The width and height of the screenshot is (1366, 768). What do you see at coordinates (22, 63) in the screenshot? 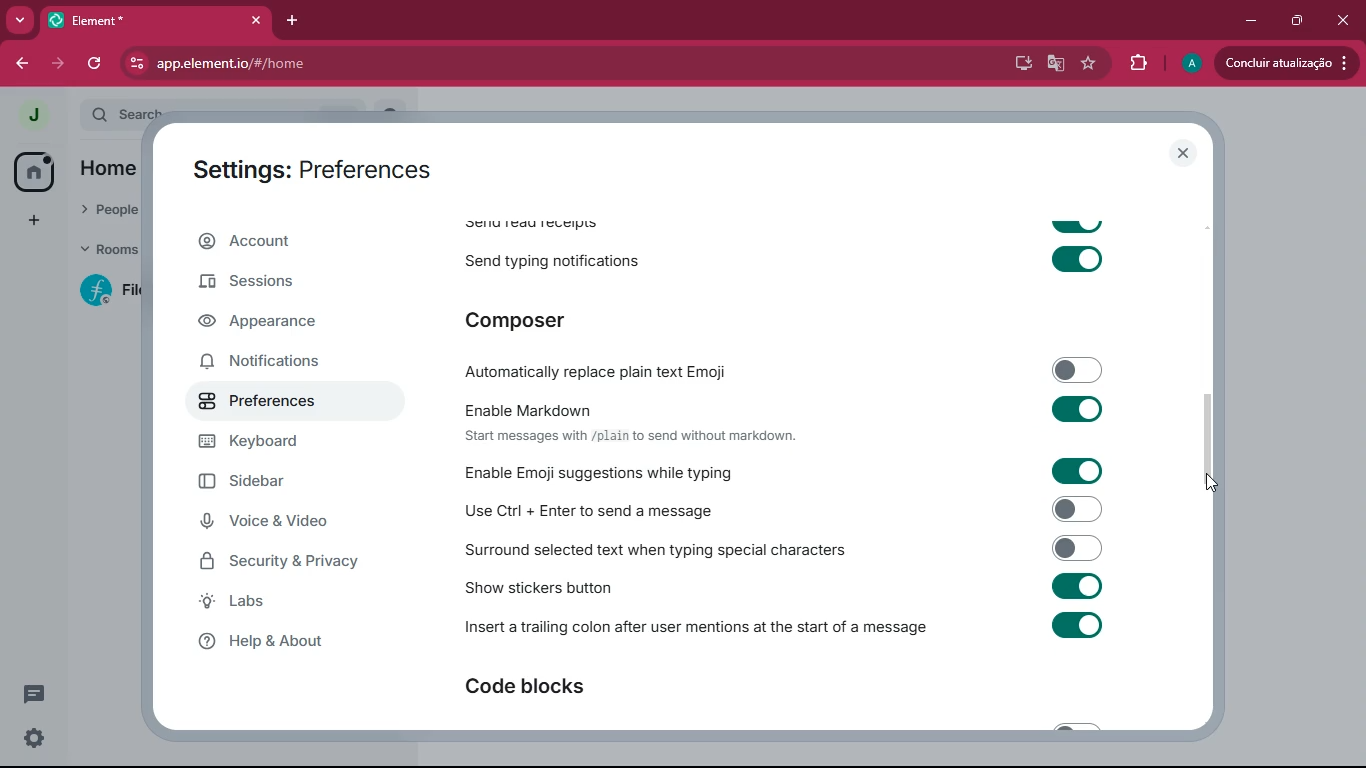
I see `back` at bounding box center [22, 63].